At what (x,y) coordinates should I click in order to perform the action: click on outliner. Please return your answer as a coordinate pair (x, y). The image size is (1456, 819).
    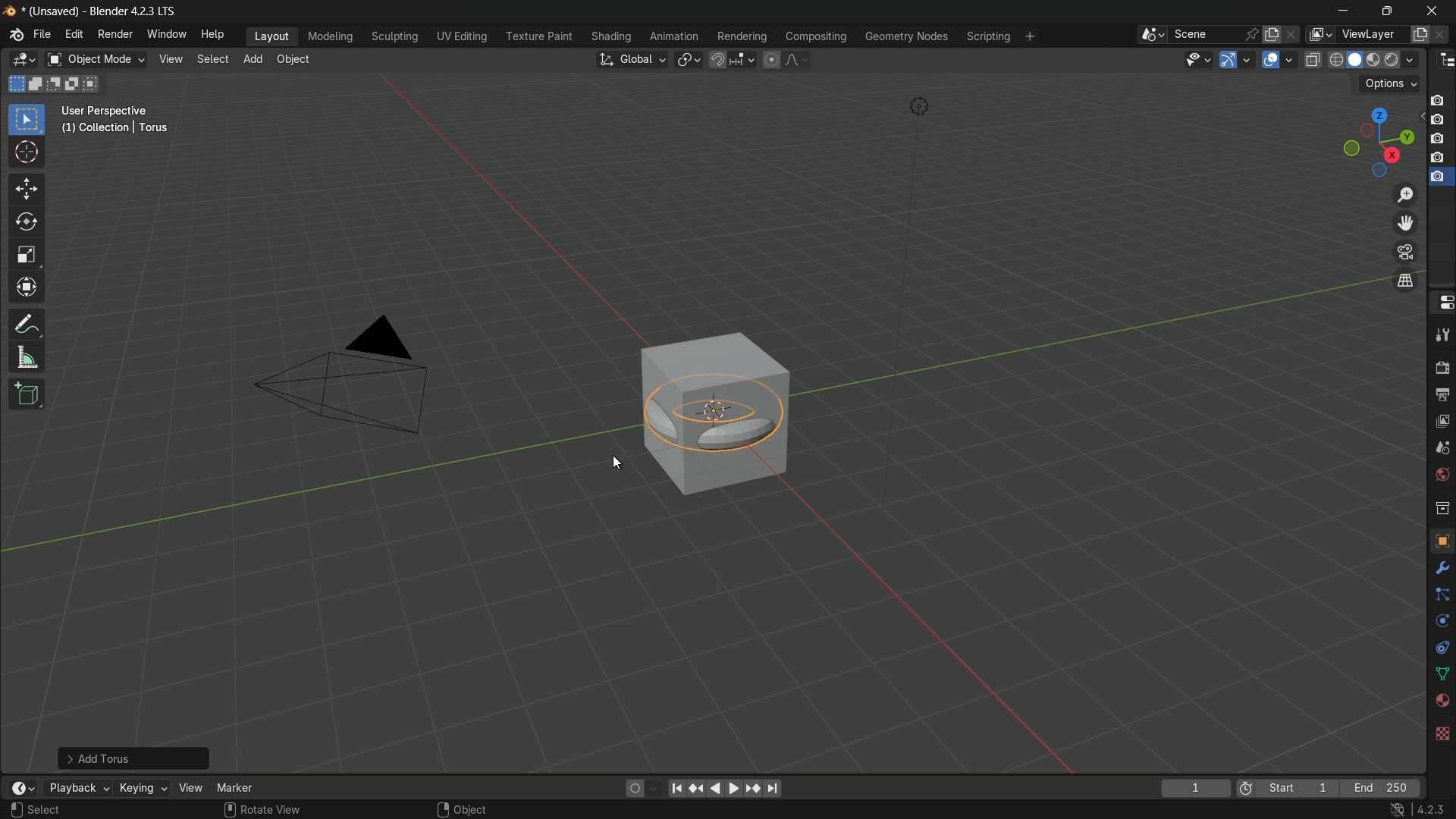
    Looking at the image, I should click on (1447, 61).